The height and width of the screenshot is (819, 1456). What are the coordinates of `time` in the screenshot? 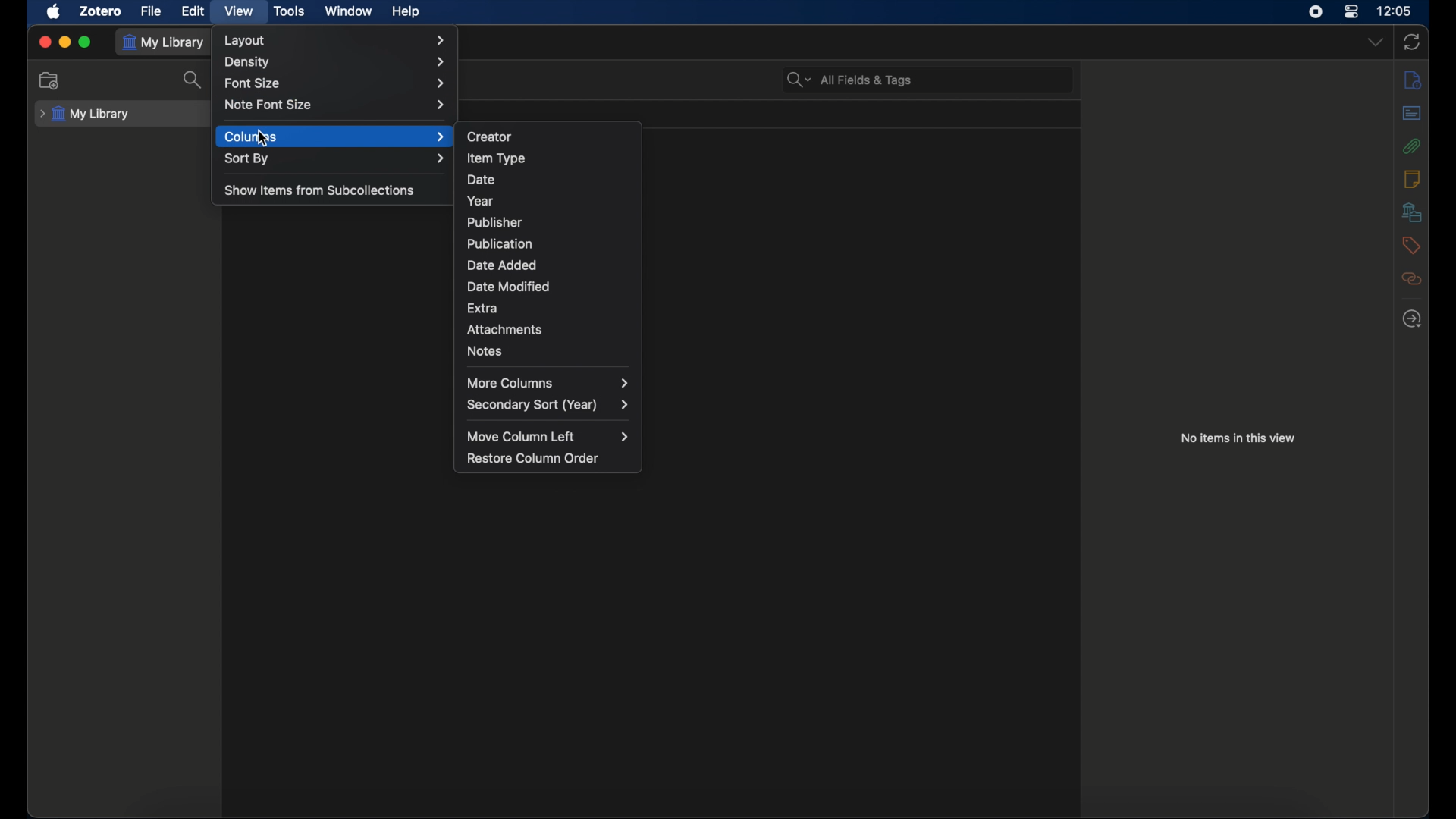 It's located at (1397, 10).